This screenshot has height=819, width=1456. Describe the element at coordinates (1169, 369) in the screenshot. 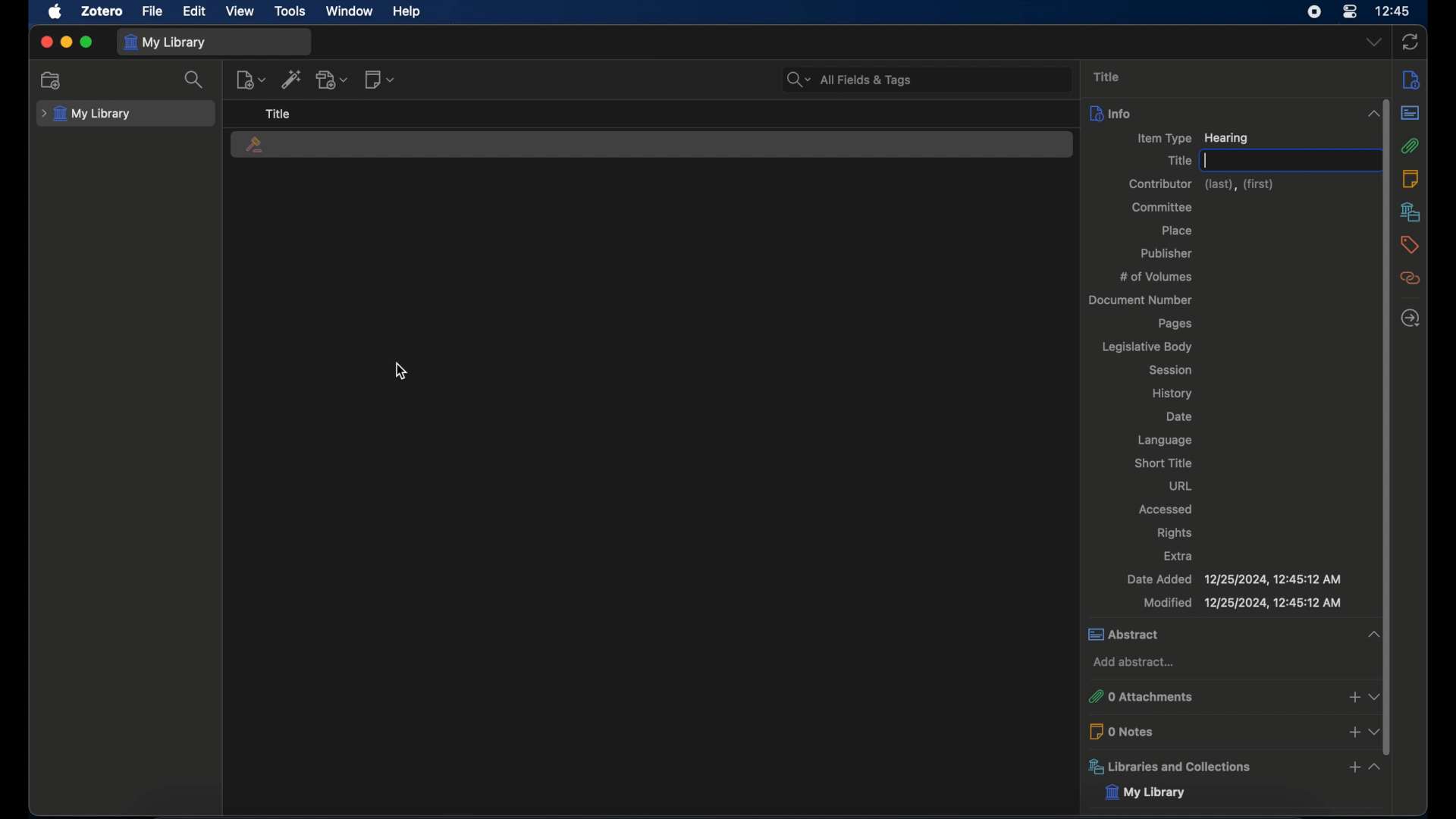

I see `session` at that location.